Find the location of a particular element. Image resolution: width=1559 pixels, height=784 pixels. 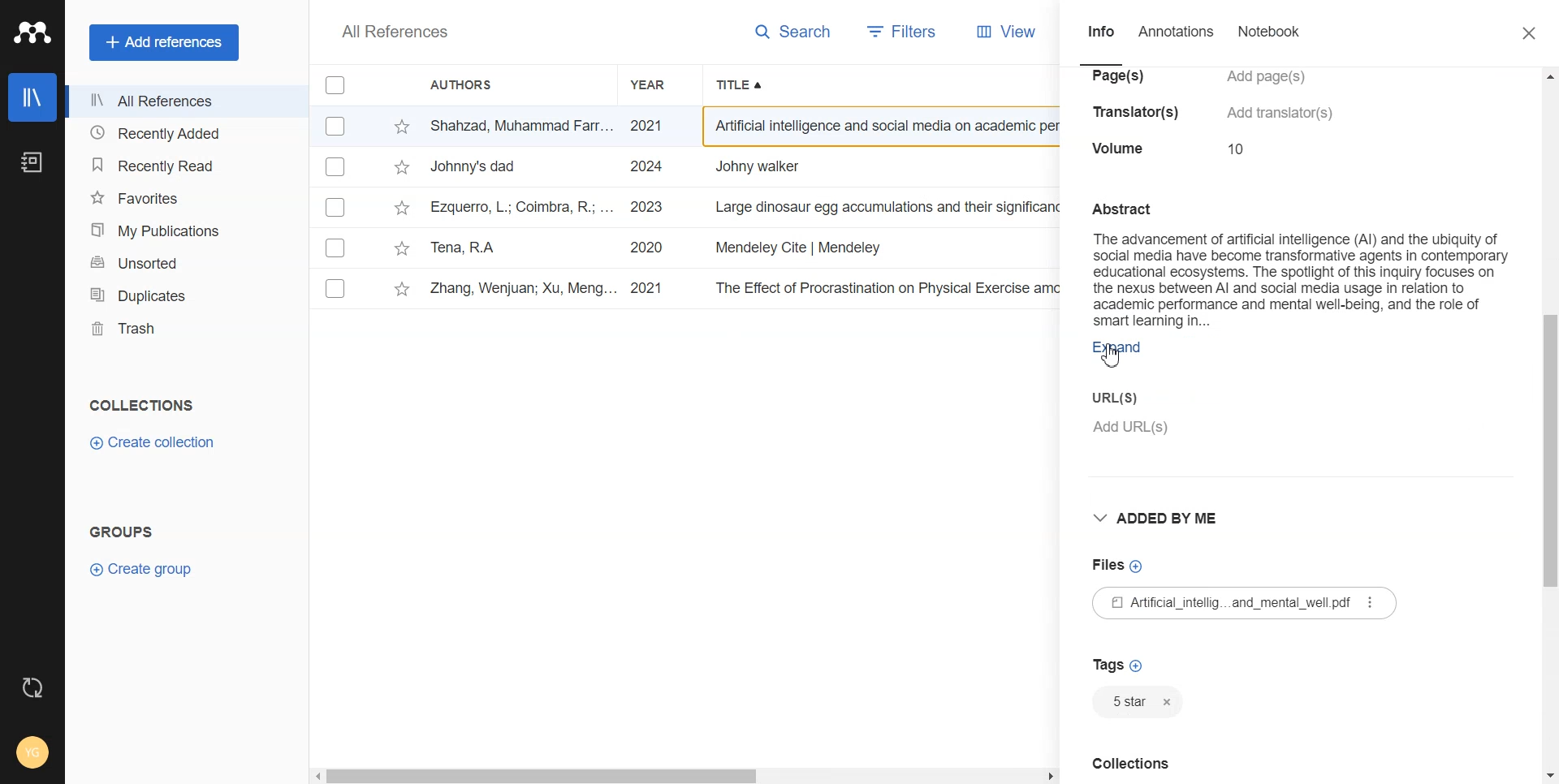

pages is located at coordinates (1119, 77).